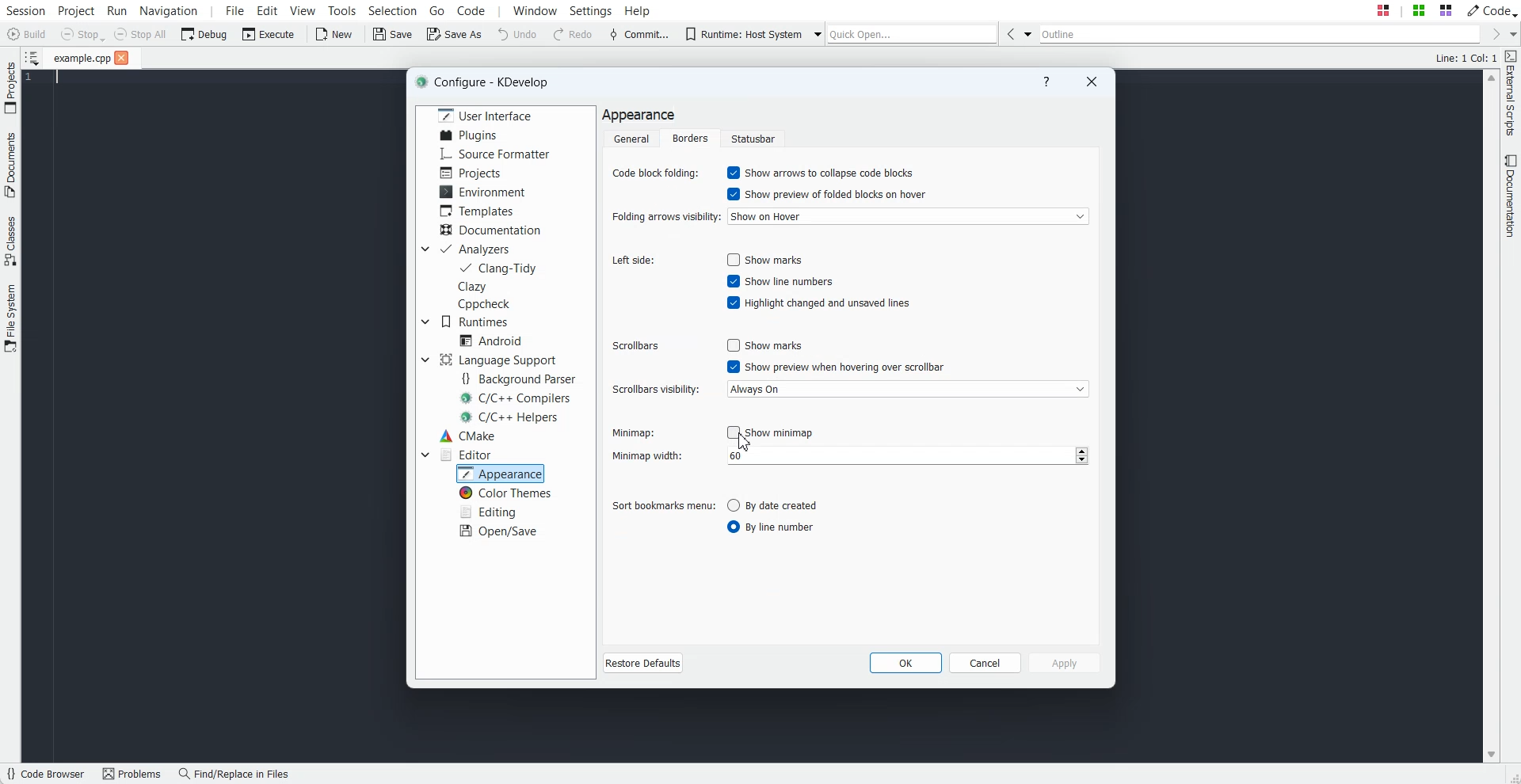 This screenshot has width=1521, height=784. Describe the element at coordinates (517, 398) in the screenshot. I see `C/C++ Compilers` at that location.